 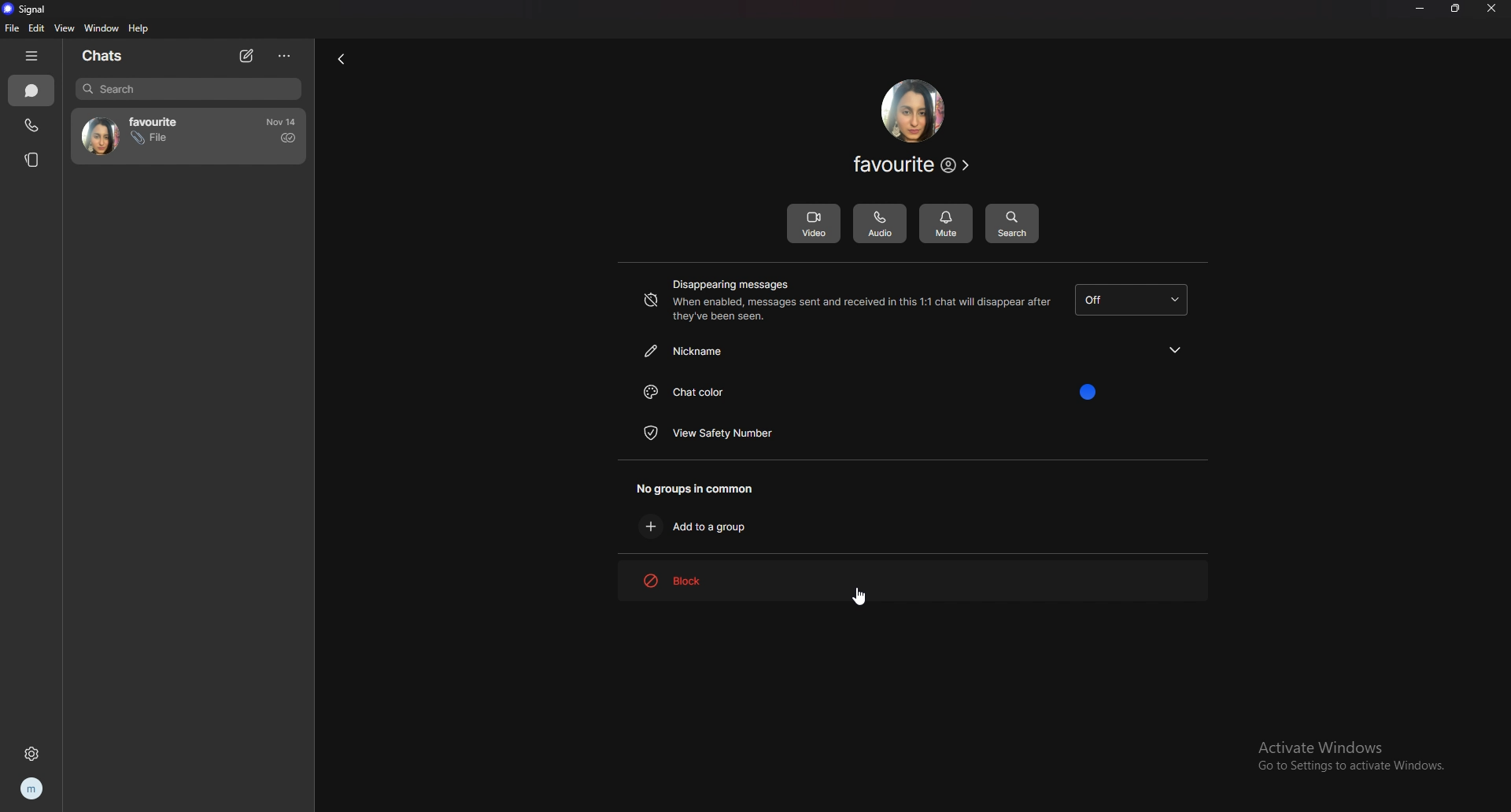 What do you see at coordinates (1012, 224) in the screenshot?
I see `search message` at bounding box center [1012, 224].